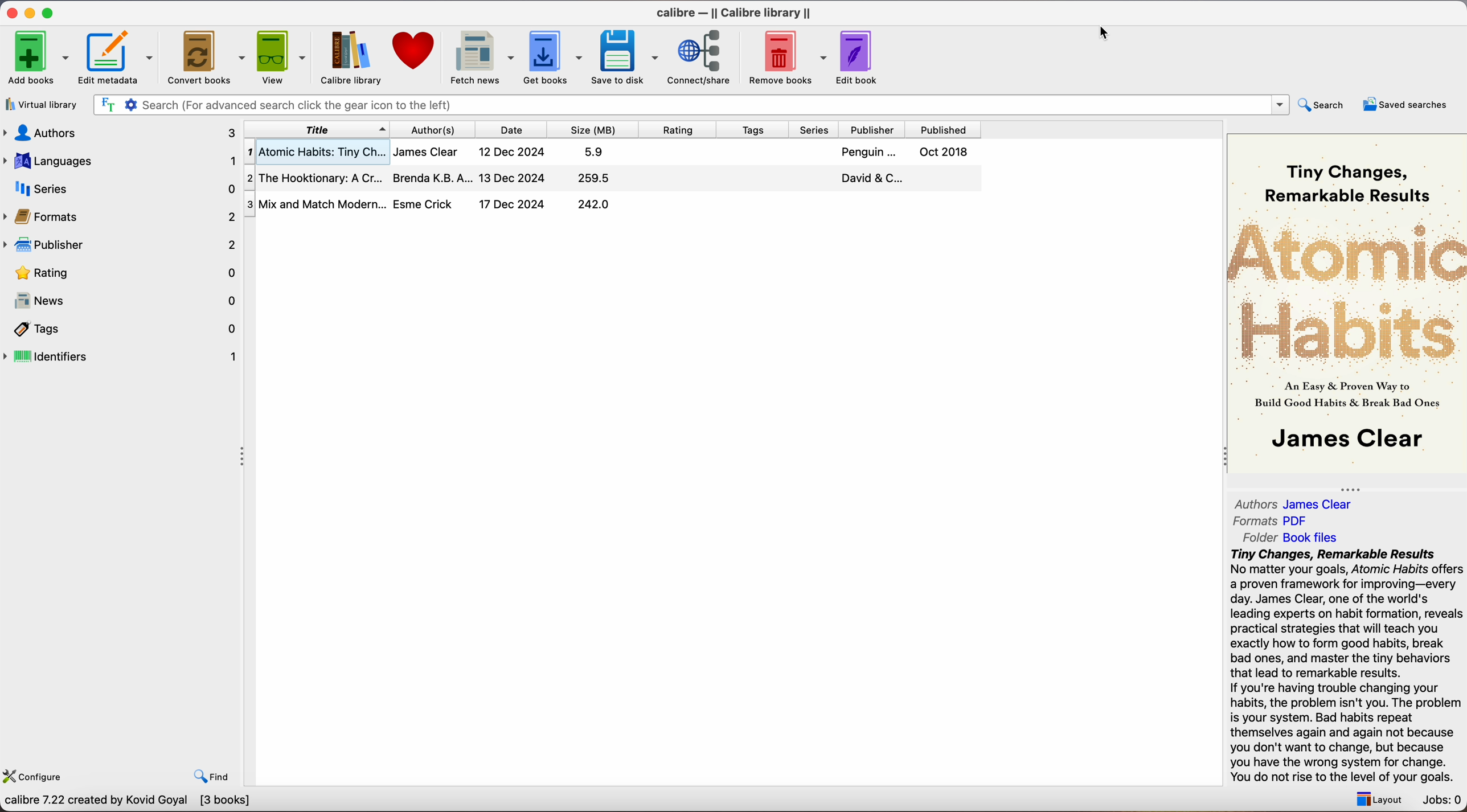 The image size is (1467, 812). Describe the element at coordinates (317, 129) in the screenshot. I see `title` at that location.